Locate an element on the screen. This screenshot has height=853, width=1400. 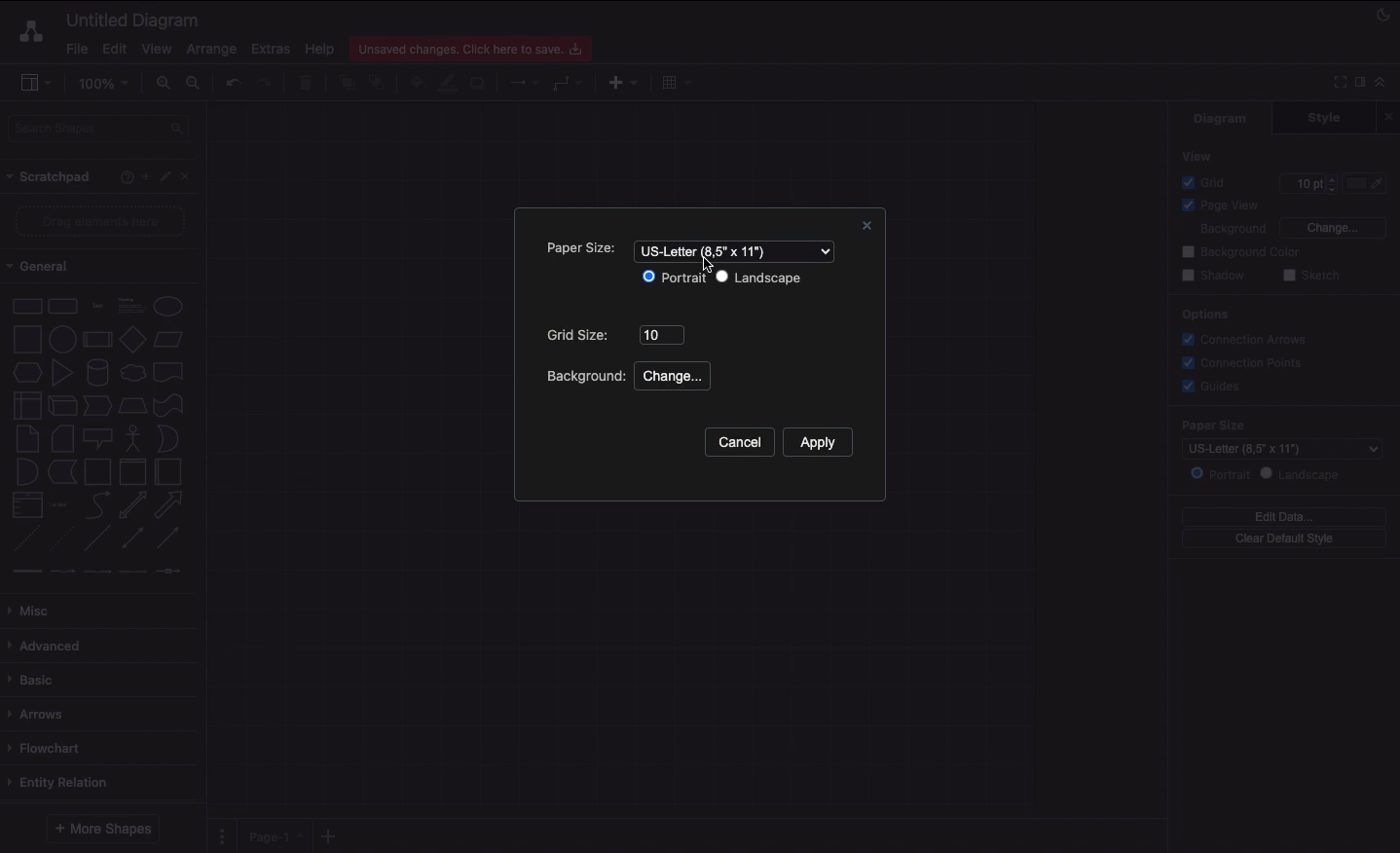
Page view is located at coordinates (1217, 206).